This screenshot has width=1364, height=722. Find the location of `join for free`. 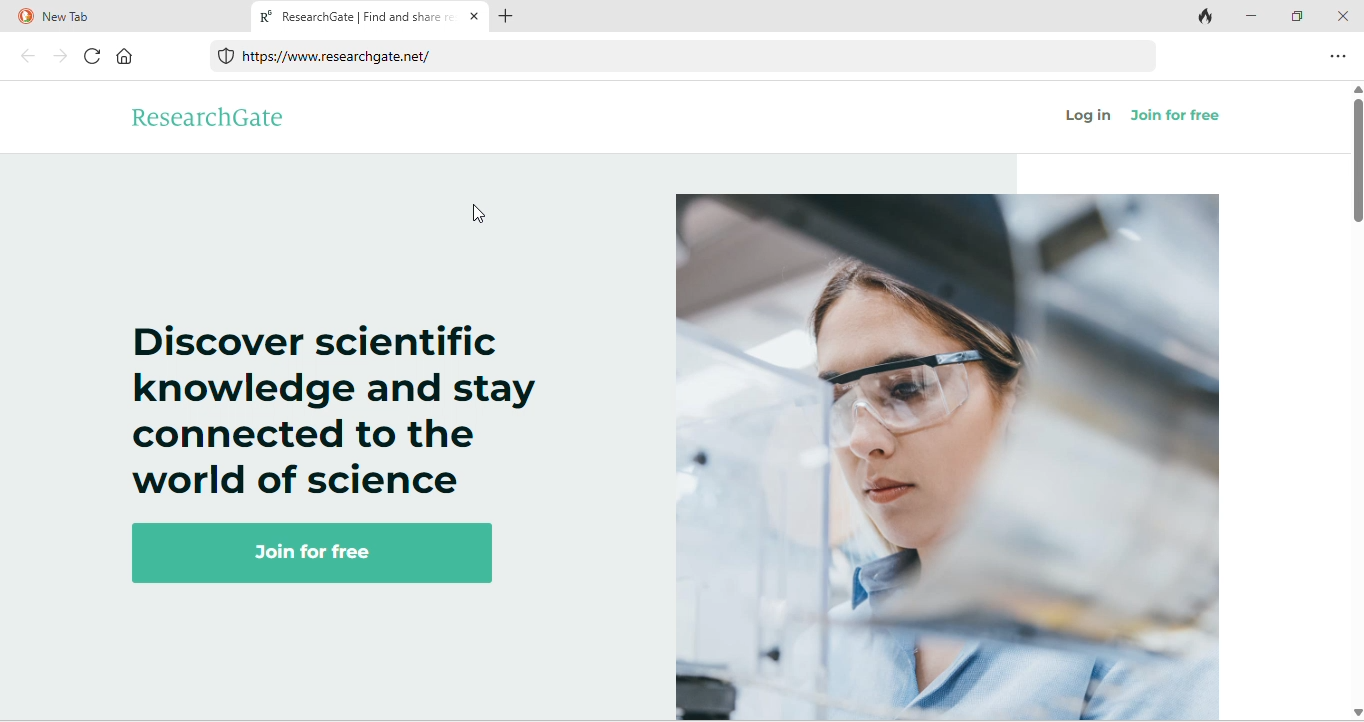

join for free is located at coordinates (331, 555).